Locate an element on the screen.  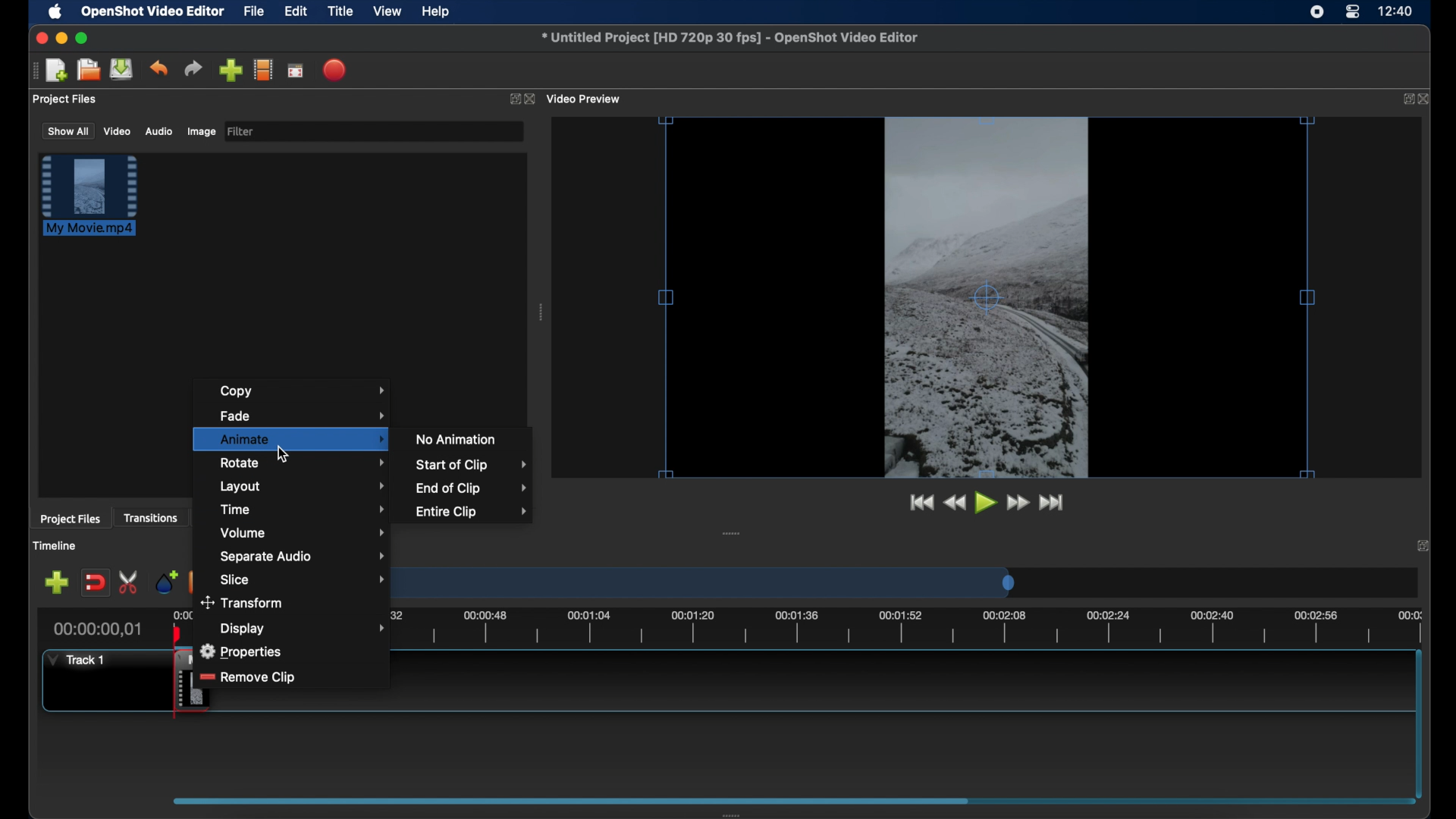
close is located at coordinates (1426, 100).